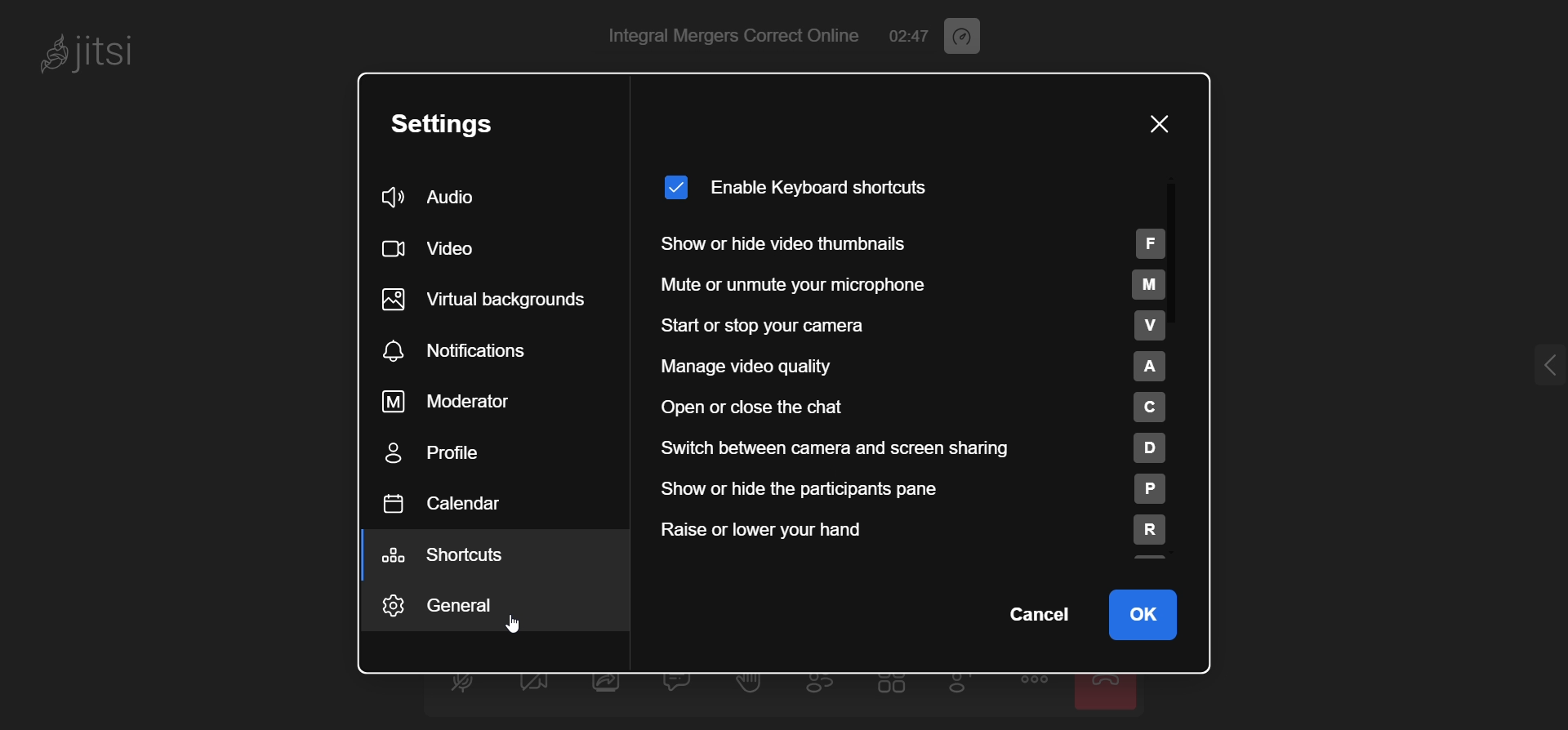 The image size is (1568, 730). Describe the element at coordinates (910, 447) in the screenshot. I see `switch between camera and screen sharing` at that location.